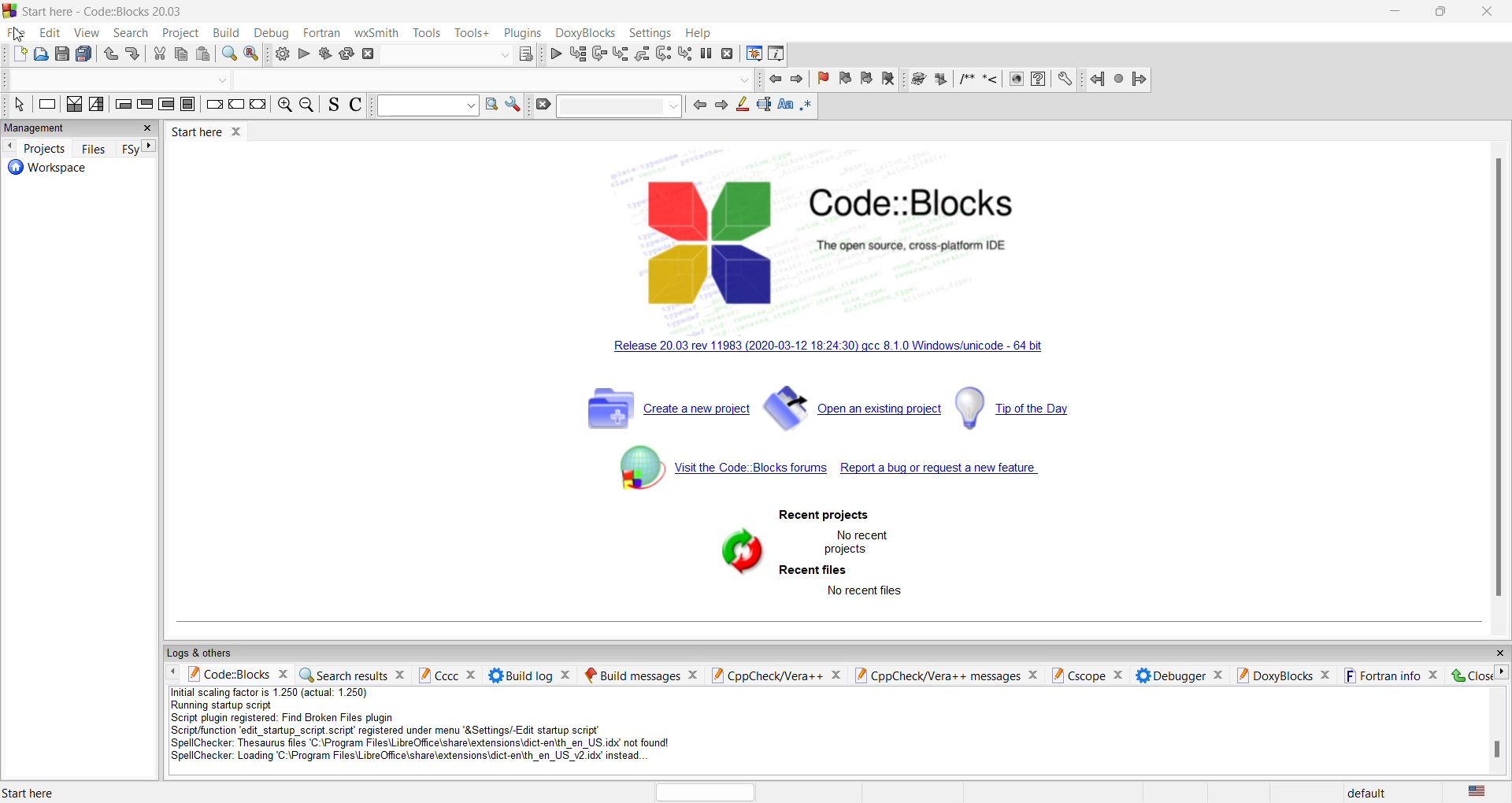 This screenshot has width=1512, height=803. What do you see at coordinates (204, 56) in the screenshot?
I see `paste` at bounding box center [204, 56].